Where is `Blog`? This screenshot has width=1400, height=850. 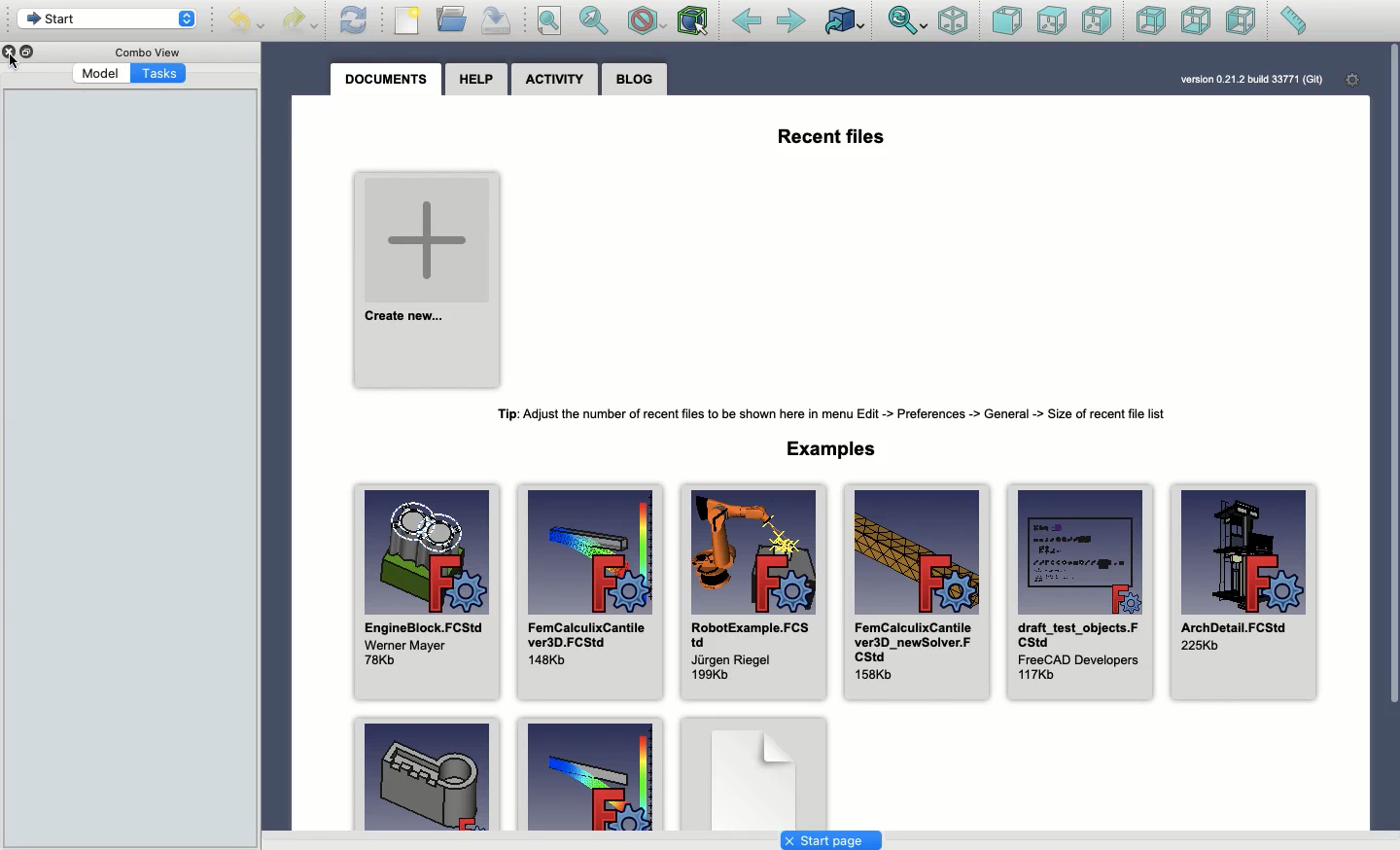
Blog is located at coordinates (637, 80).